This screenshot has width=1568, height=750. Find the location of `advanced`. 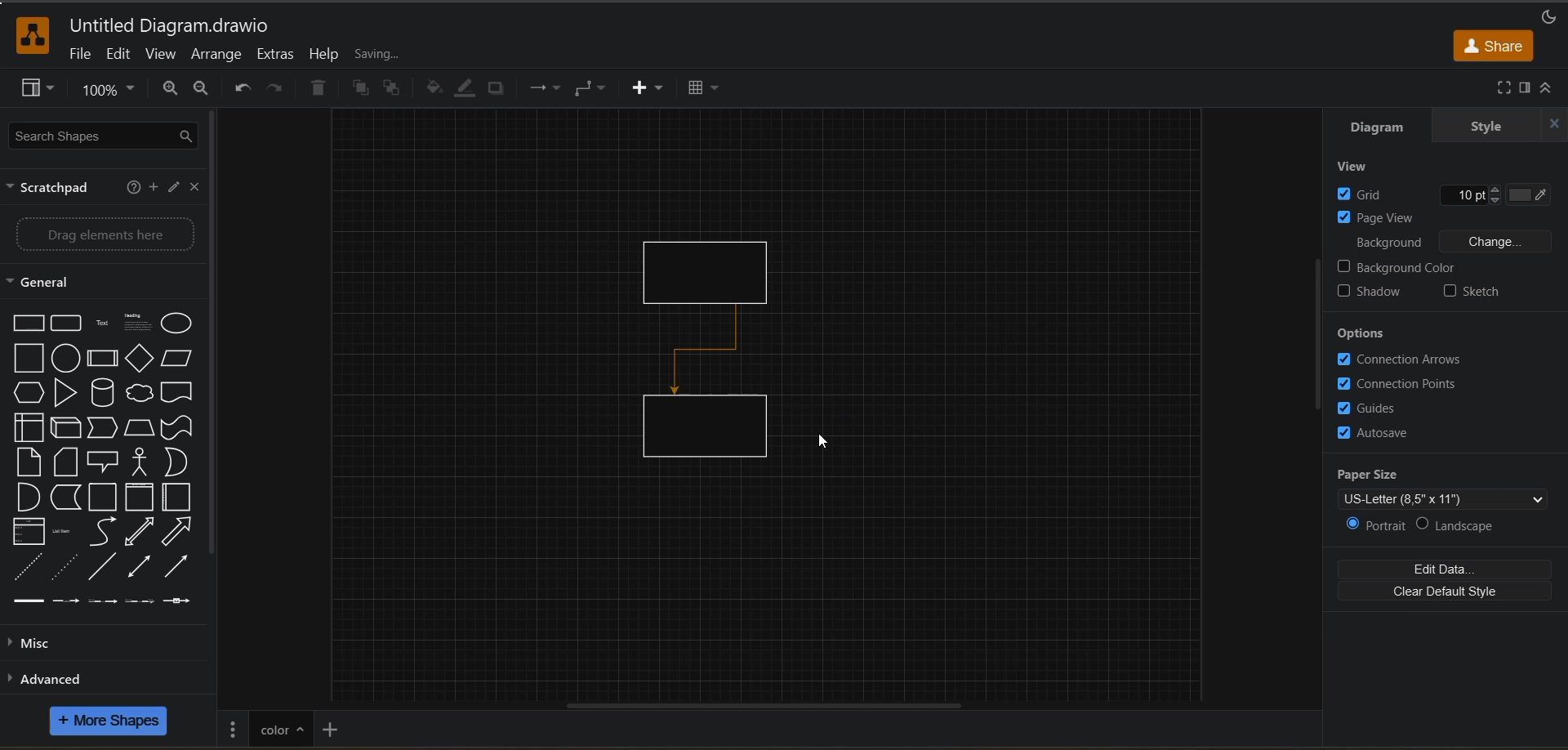

advanced is located at coordinates (70, 678).